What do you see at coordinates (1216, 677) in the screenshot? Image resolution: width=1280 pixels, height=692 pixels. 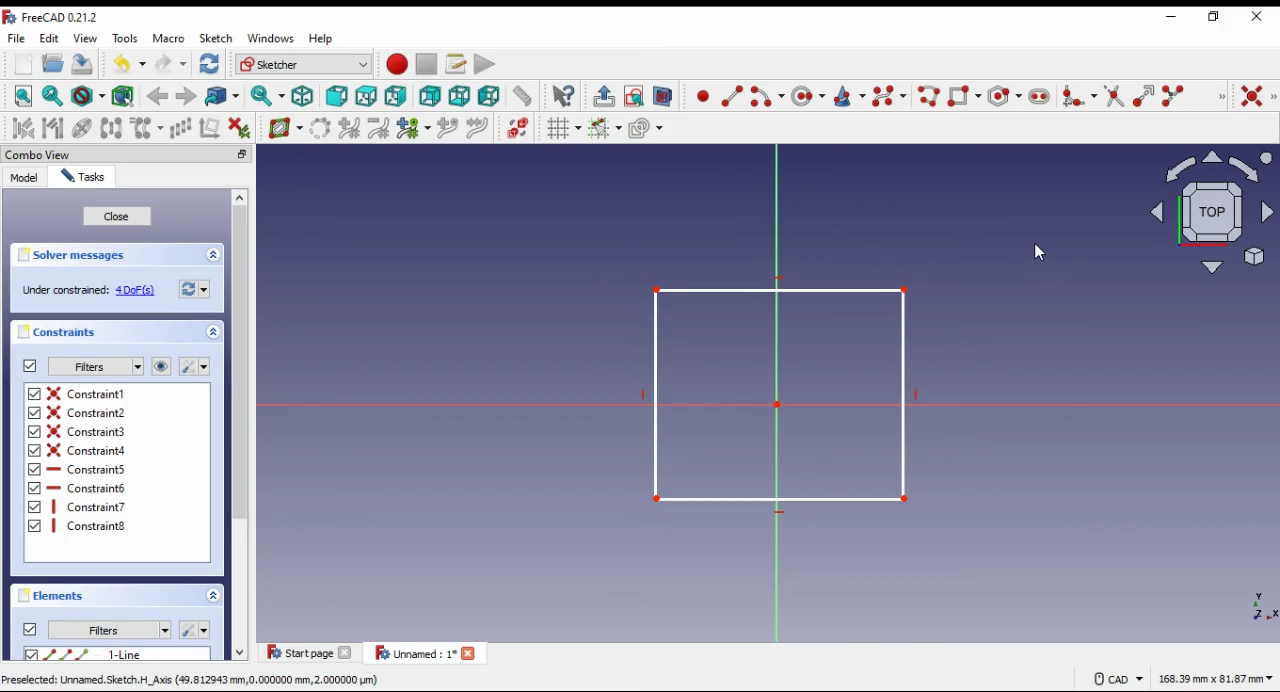 I see `canvas size` at bounding box center [1216, 677].